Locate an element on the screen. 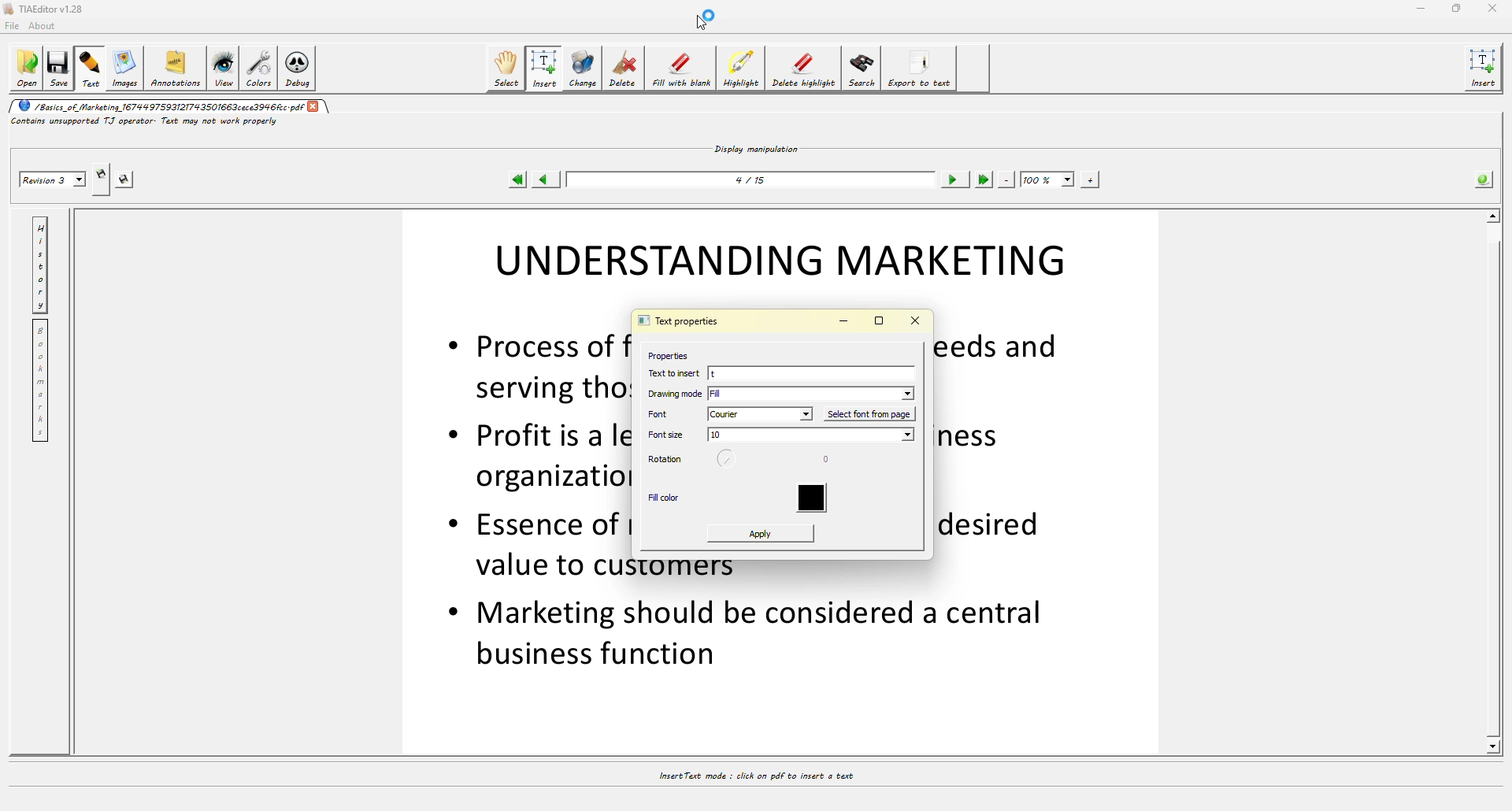 Image resolution: width=1512 pixels, height=811 pixels. export to text is located at coordinates (922, 69).